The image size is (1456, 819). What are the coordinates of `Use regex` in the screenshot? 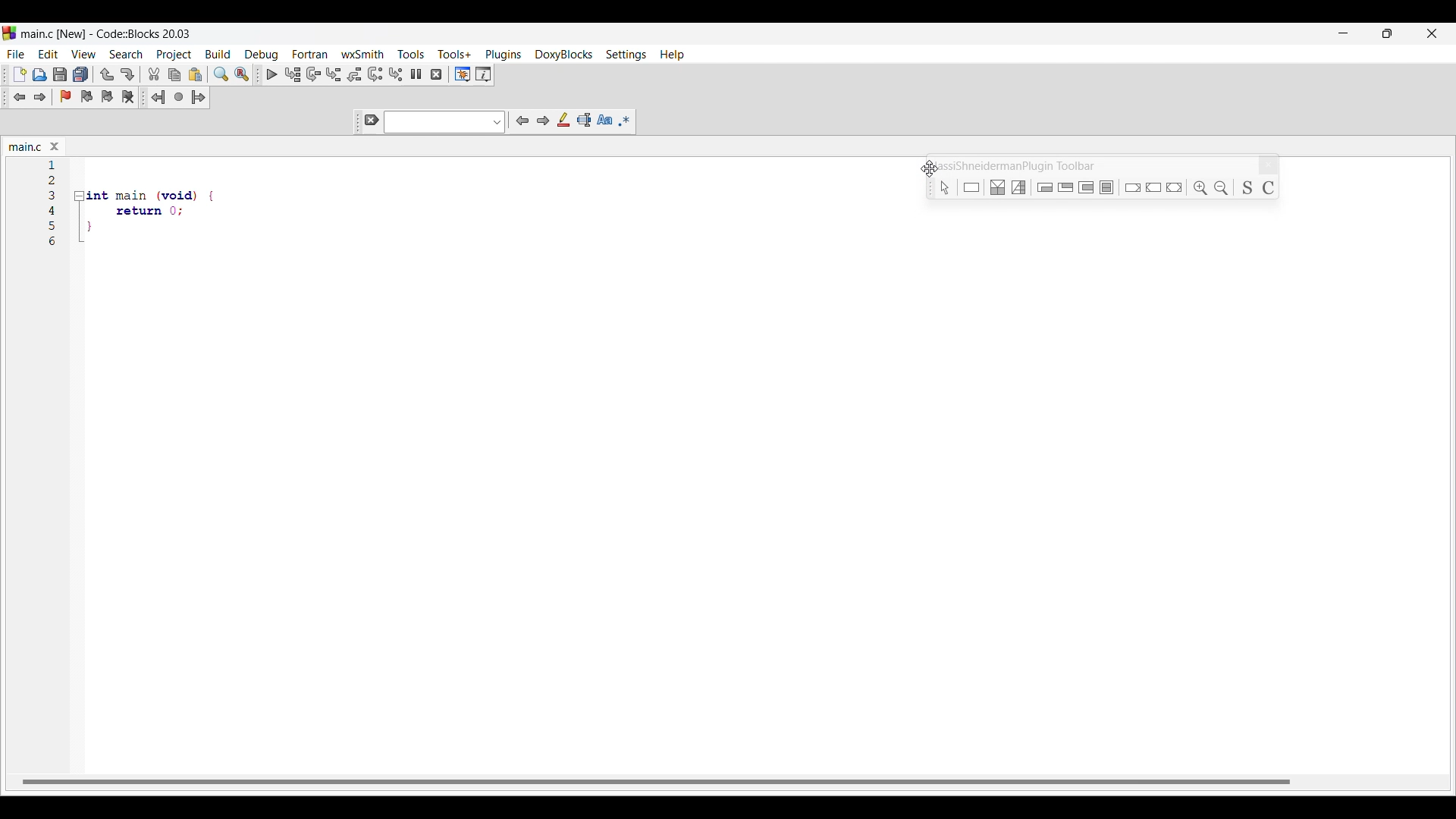 It's located at (625, 121).